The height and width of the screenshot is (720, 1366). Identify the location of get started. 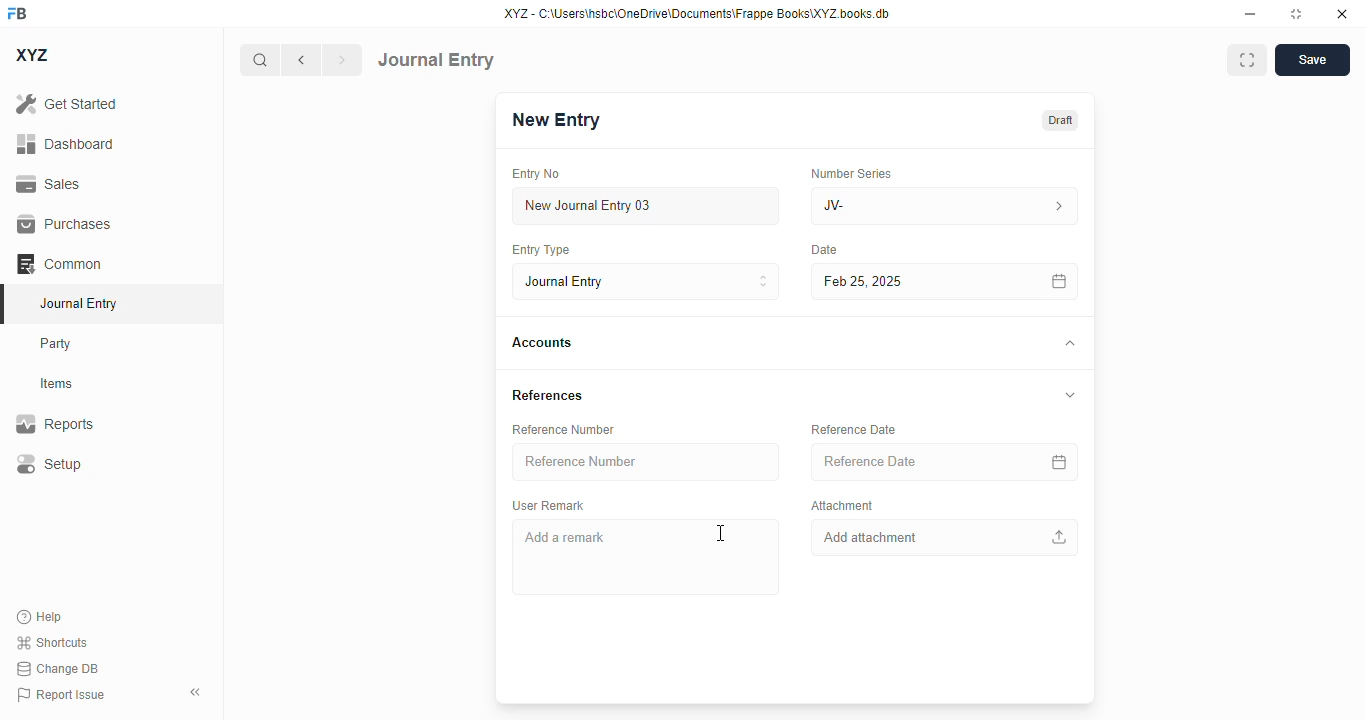
(66, 103).